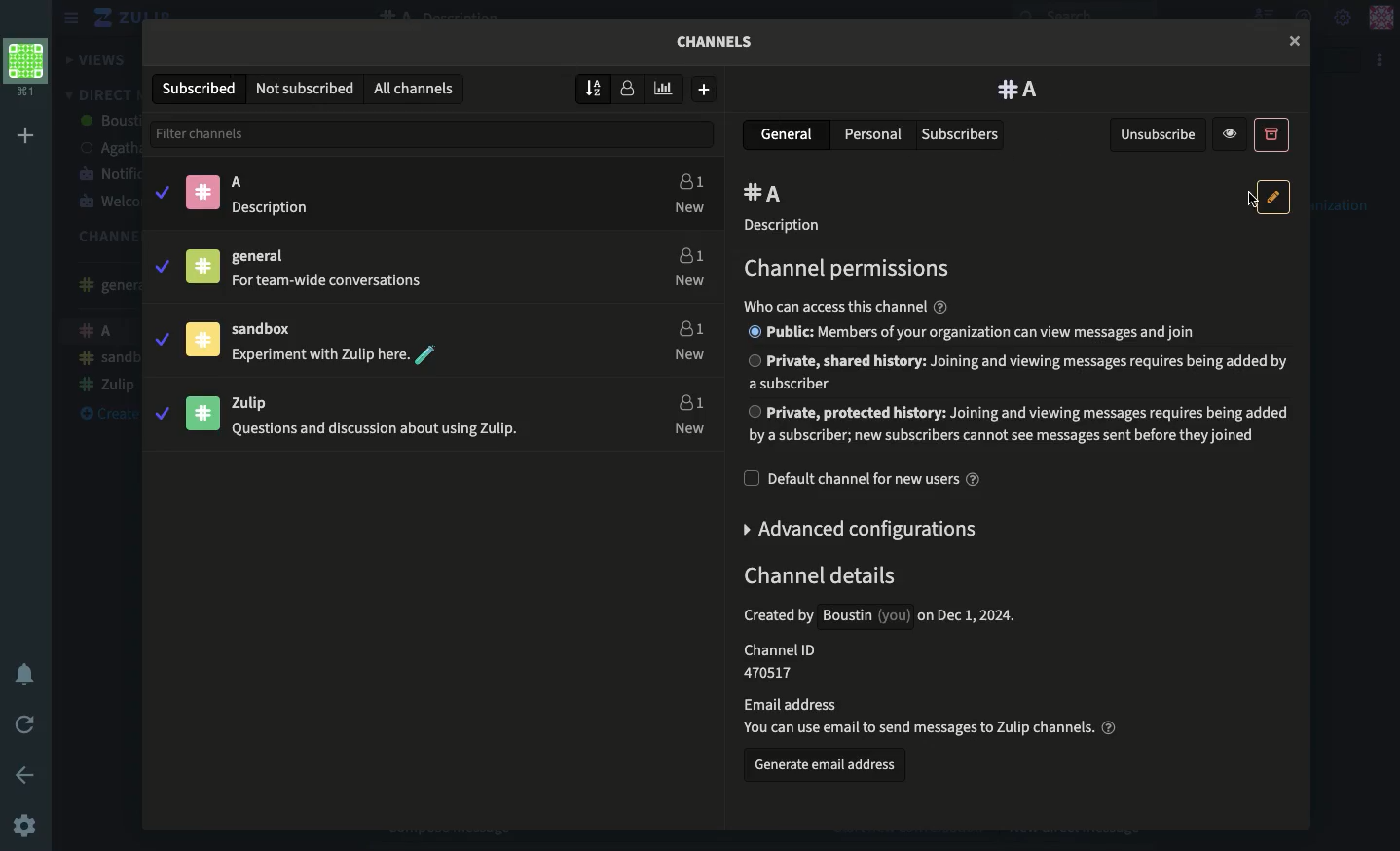  What do you see at coordinates (1344, 16) in the screenshot?
I see `Settings` at bounding box center [1344, 16].